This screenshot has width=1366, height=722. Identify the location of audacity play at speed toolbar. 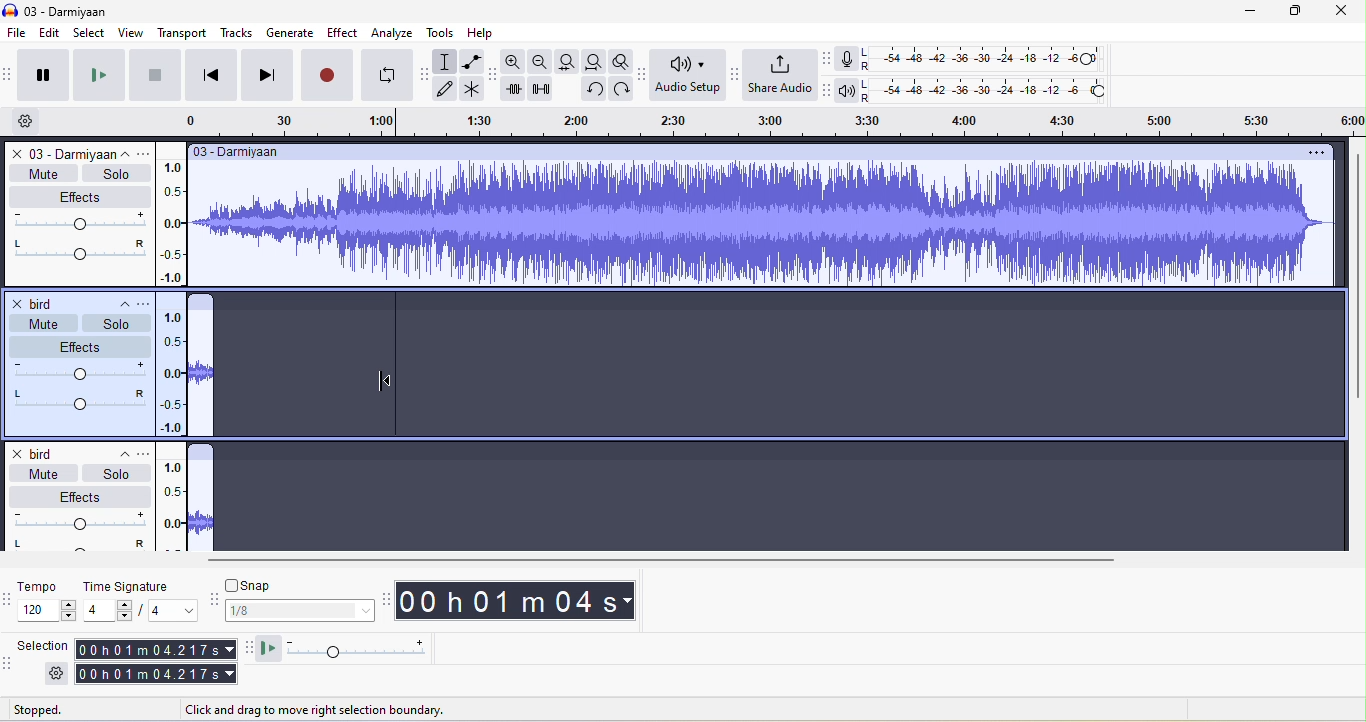
(248, 649).